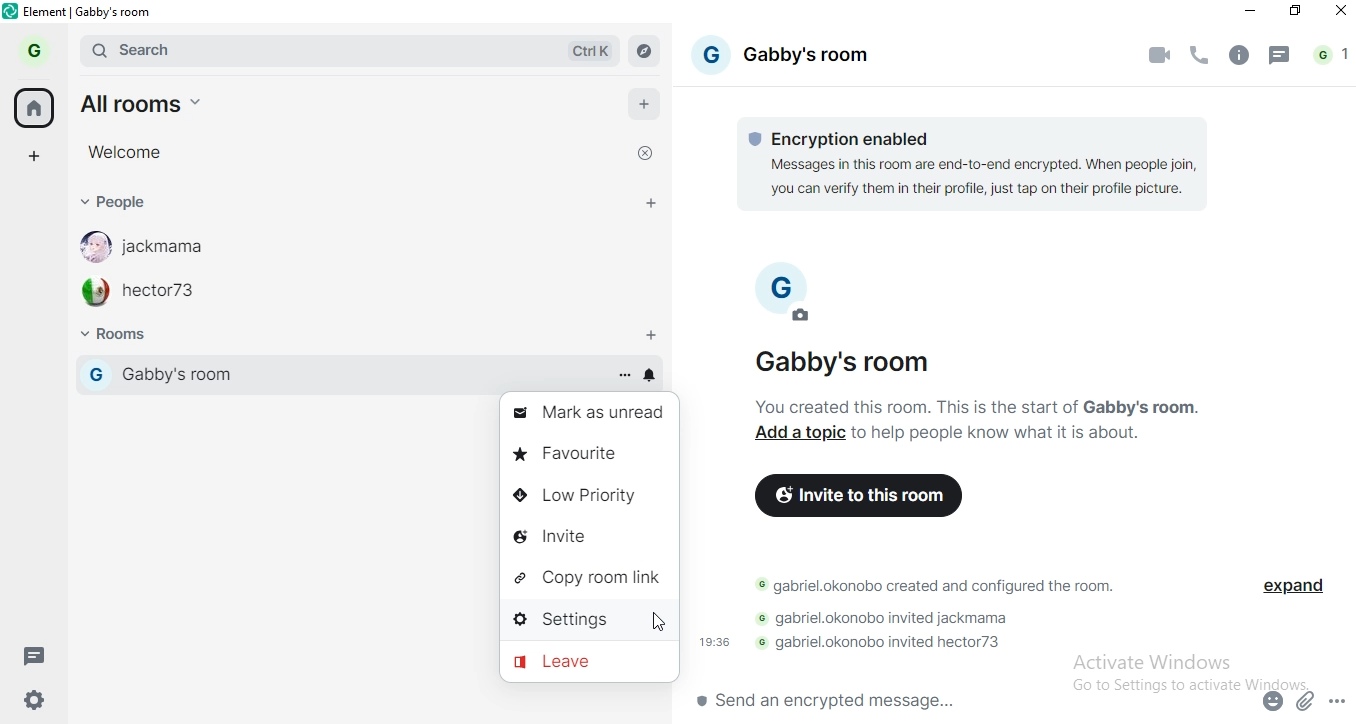  What do you see at coordinates (591, 578) in the screenshot?
I see `copy room link` at bounding box center [591, 578].